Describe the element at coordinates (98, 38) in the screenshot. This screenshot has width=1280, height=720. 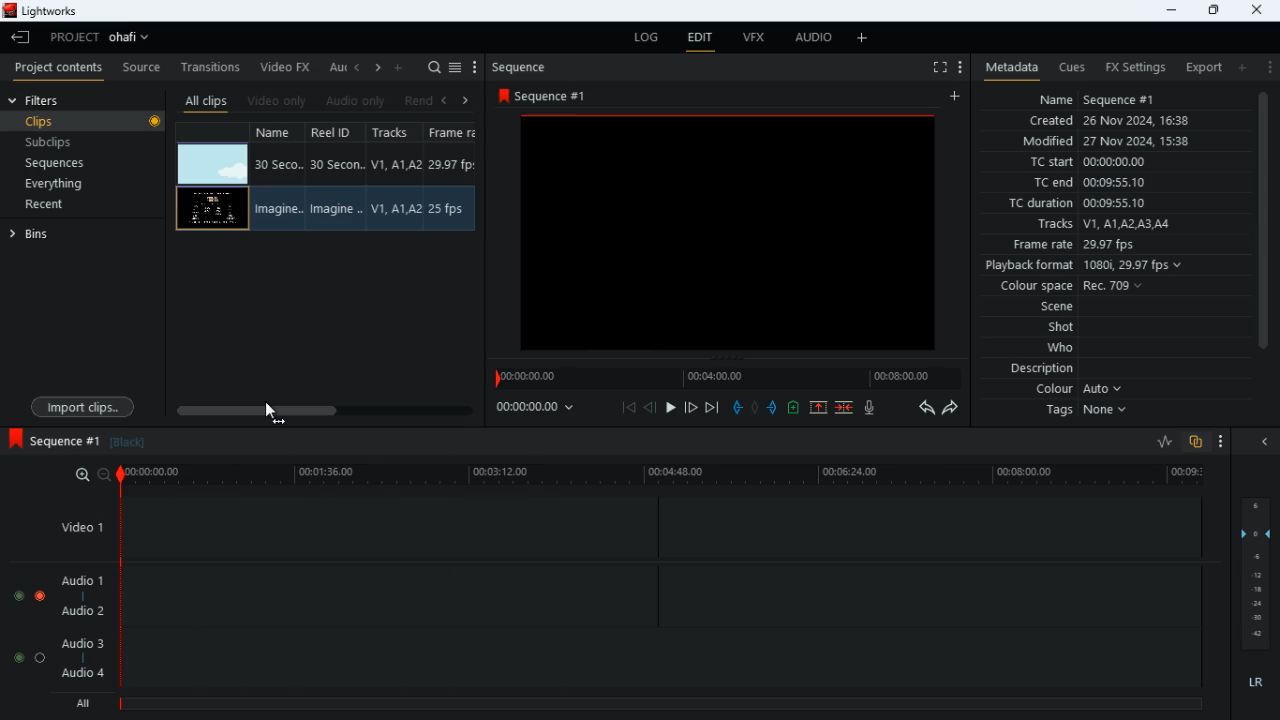
I see `project` at that location.